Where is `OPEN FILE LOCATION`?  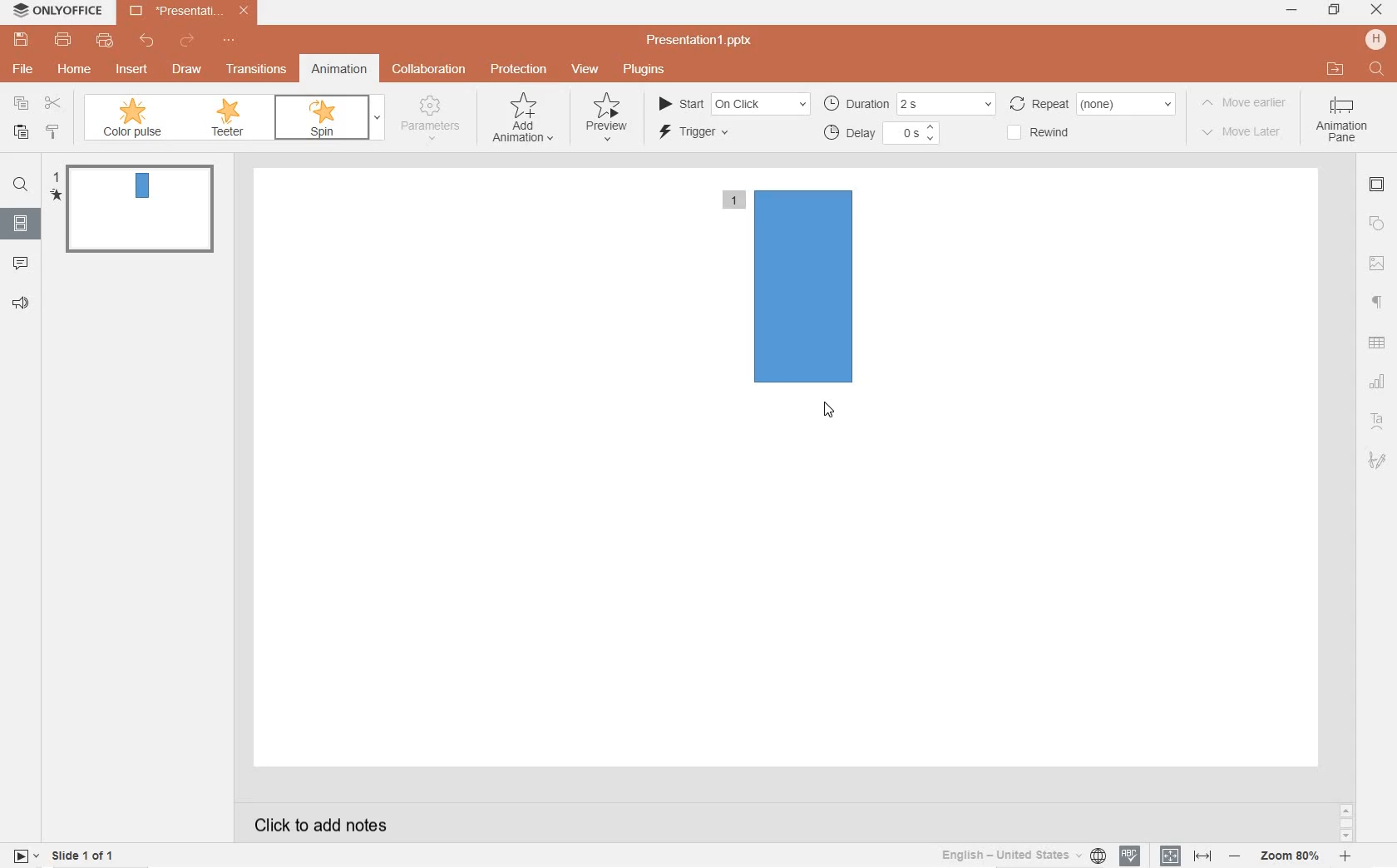
OPEN FILE LOCATION is located at coordinates (1336, 69).